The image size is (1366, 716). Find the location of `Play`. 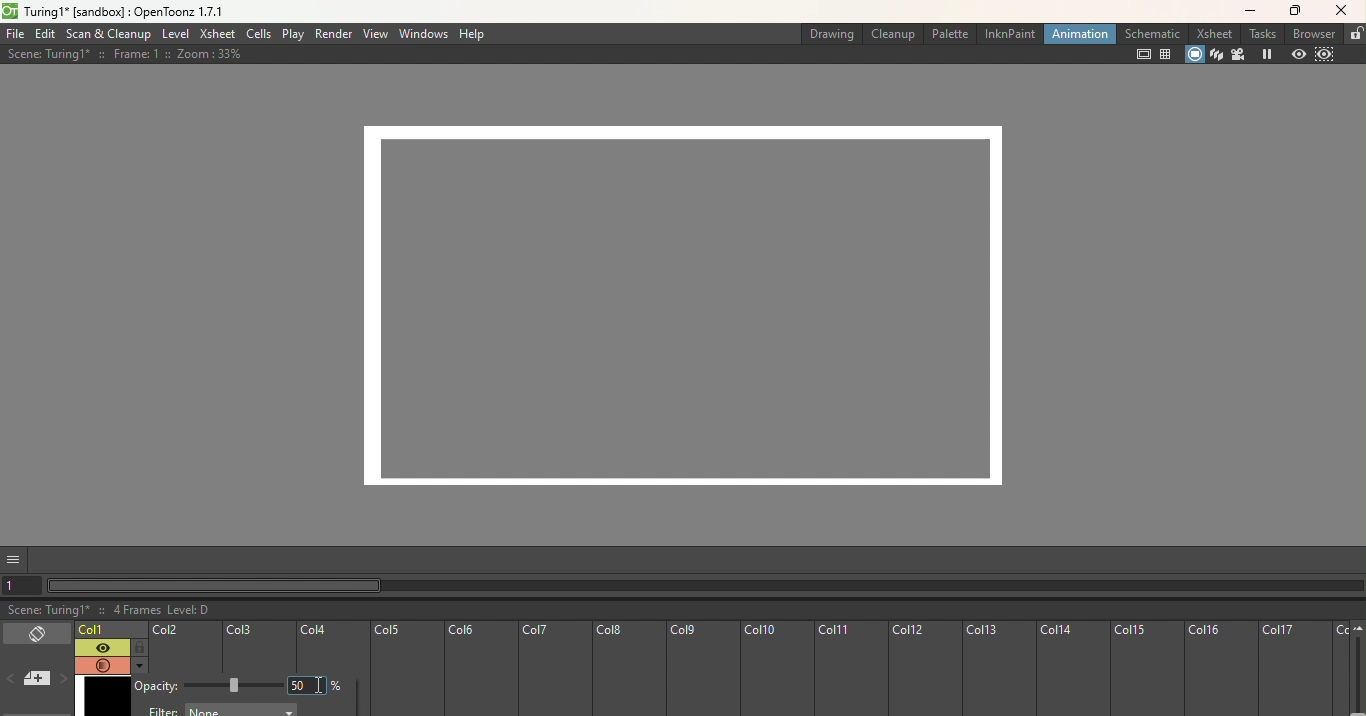

Play is located at coordinates (293, 35).